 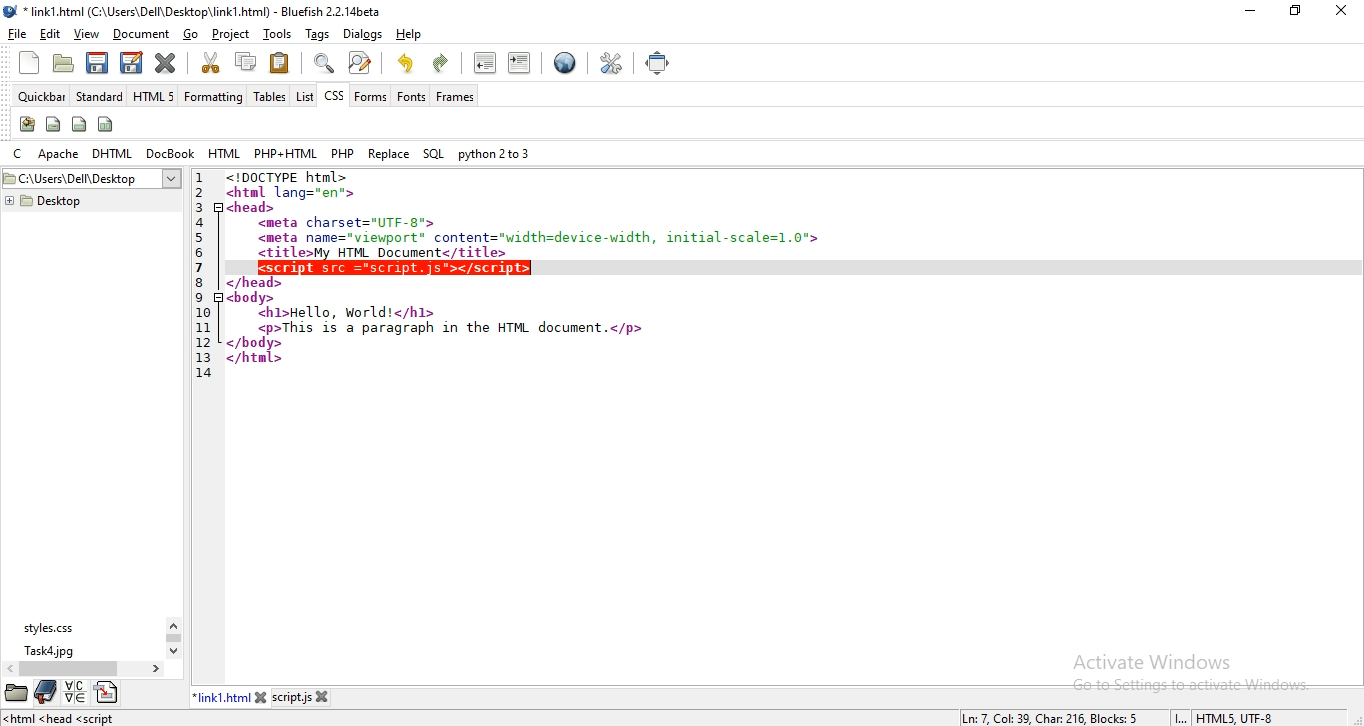 I want to click on code added, so click(x=397, y=267).